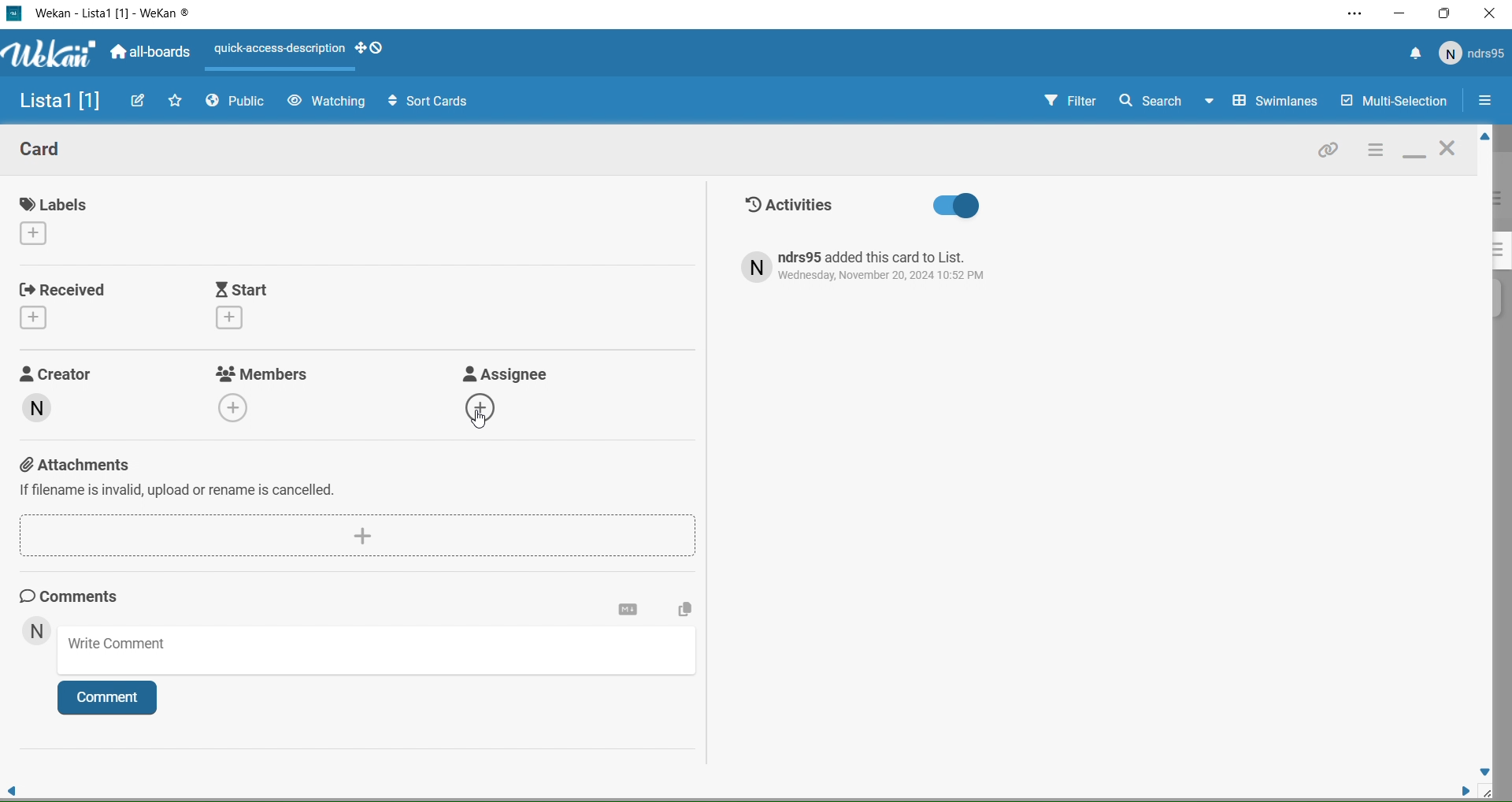 This screenshot has width=1512, height=802. I want to click on Wekan, so click(113, 14).